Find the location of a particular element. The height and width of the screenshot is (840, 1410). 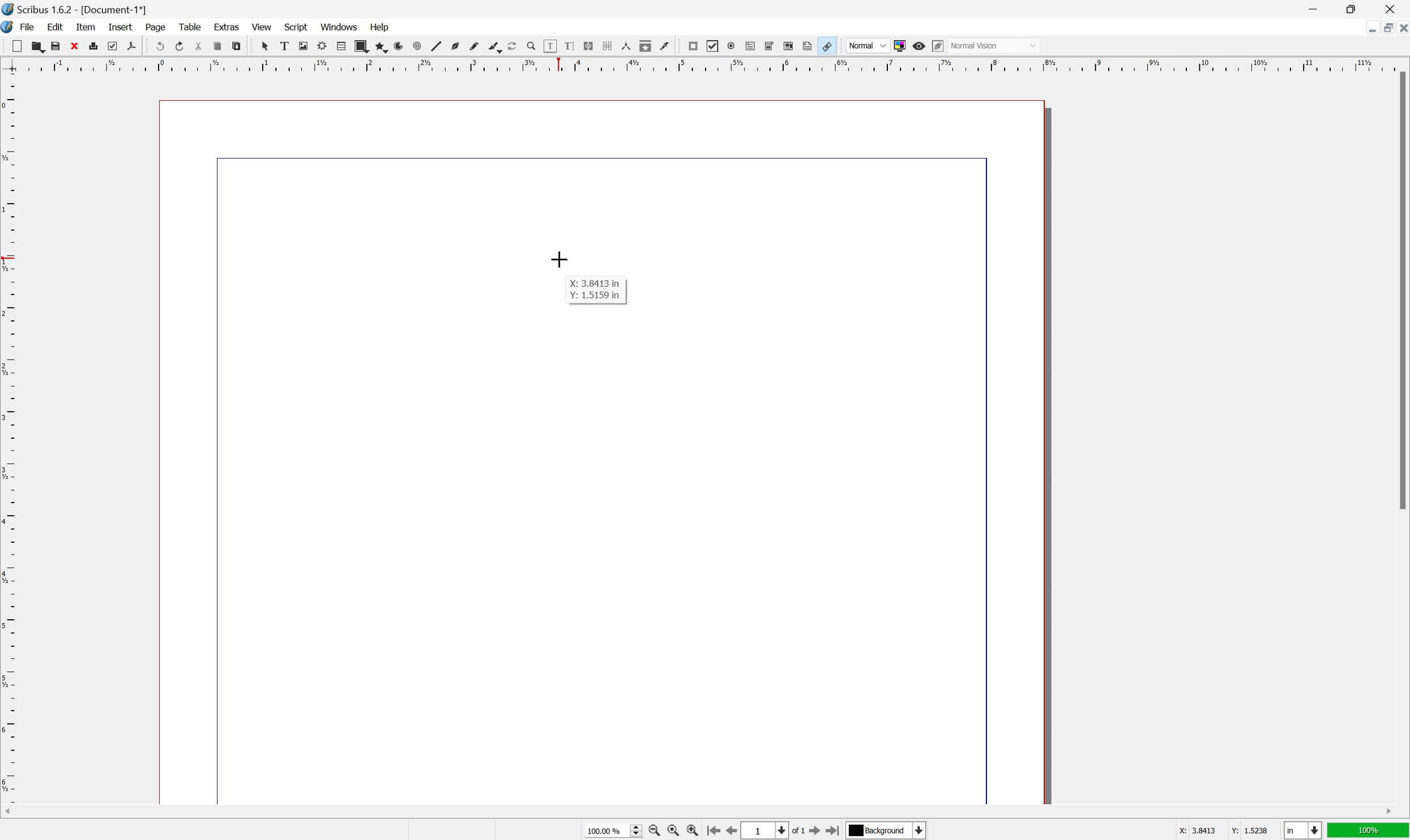

Script is located at coordinates (297, 26).